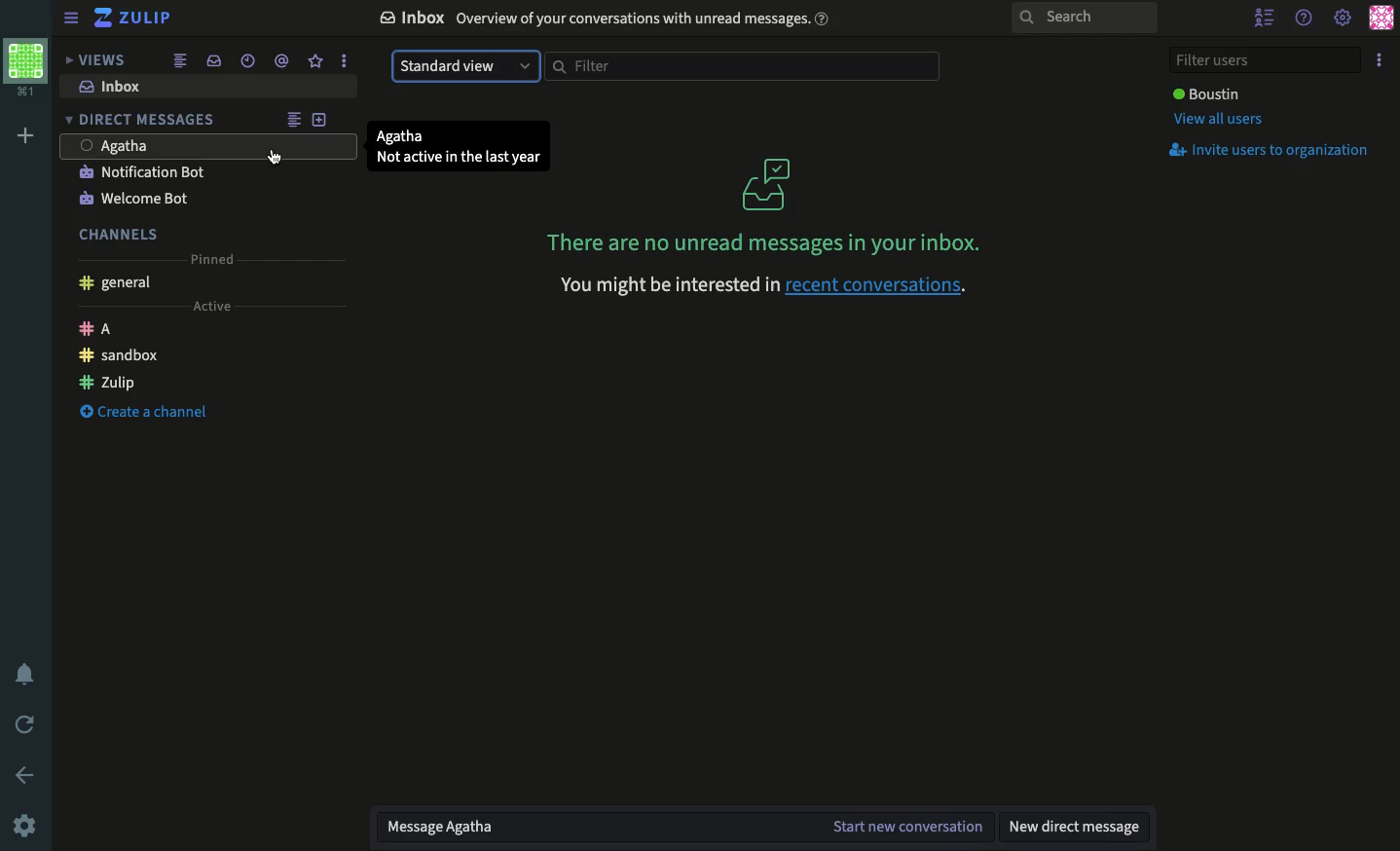 Image resolution: width=1400 pixels, height=851 pixels. What do you see at coordinates (683, 828) in the screenshot?
I see `Message` at bounding box center [683, 828].